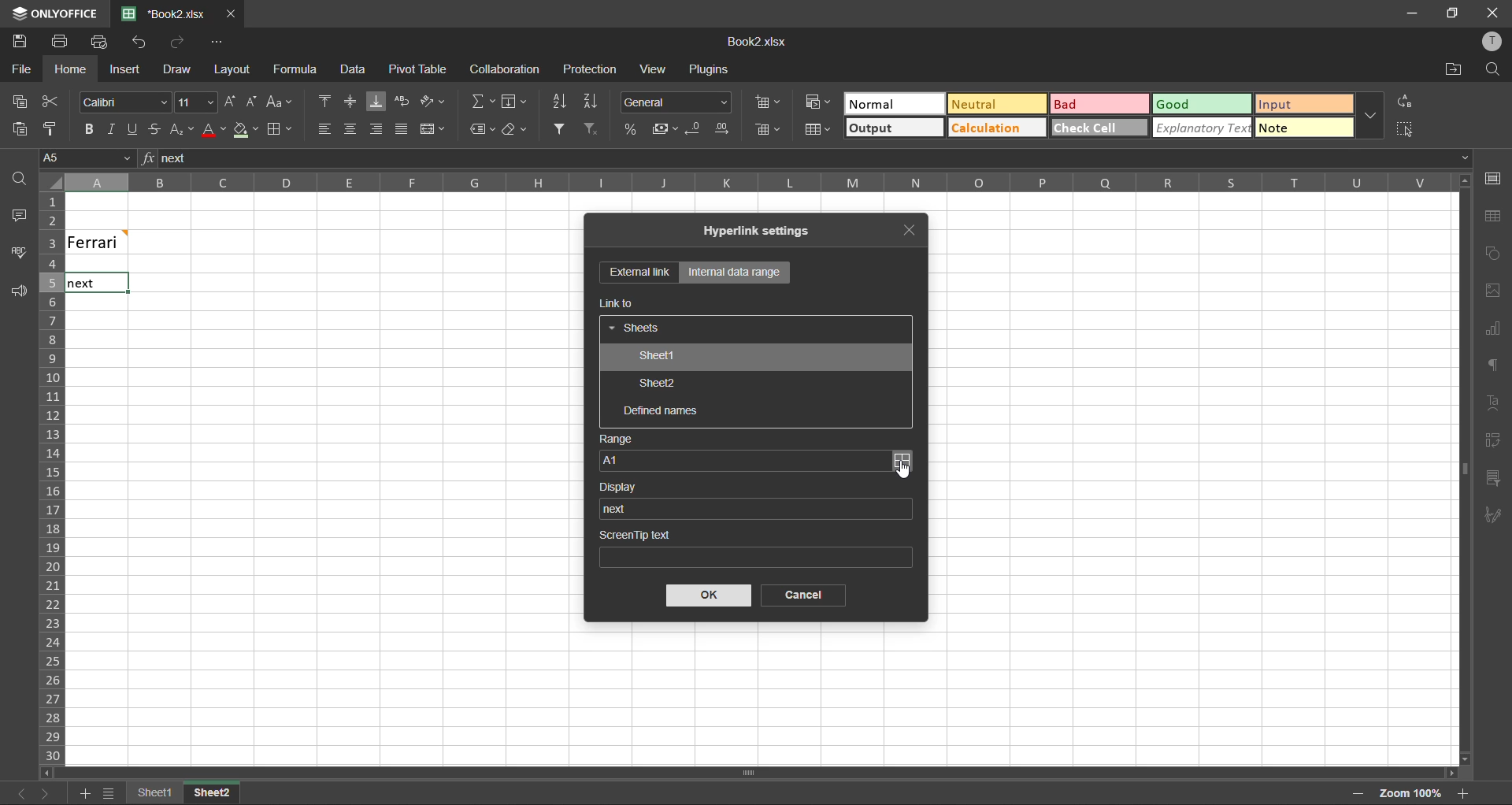 This screenshot has height=805, width=1512. What do you see at coordinates (418, 70) in the screenshot?
I see `pivot table` at bounding box center [418, 70].